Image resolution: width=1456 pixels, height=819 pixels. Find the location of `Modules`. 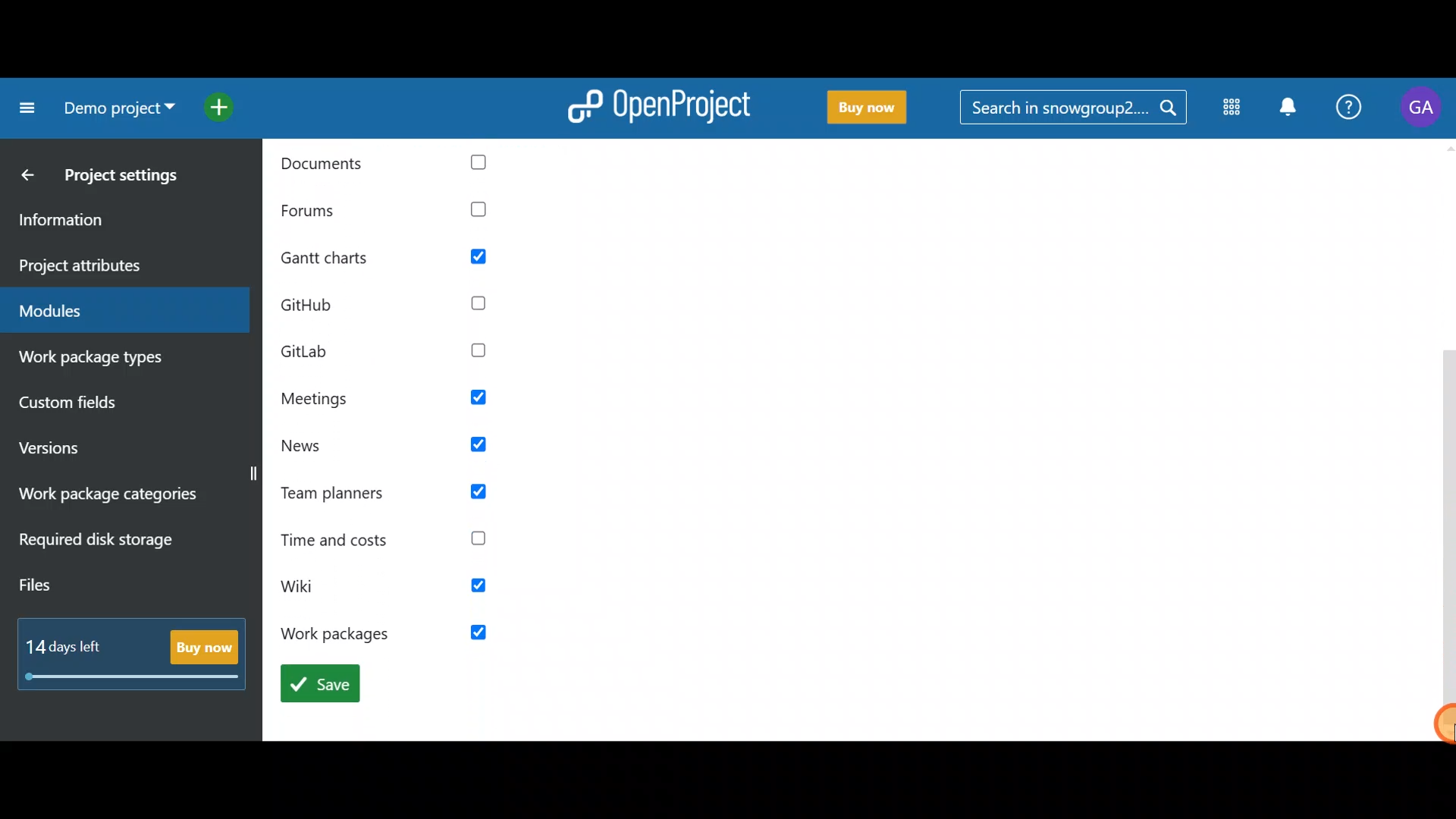

Modules is located at coordinates (115, 311).